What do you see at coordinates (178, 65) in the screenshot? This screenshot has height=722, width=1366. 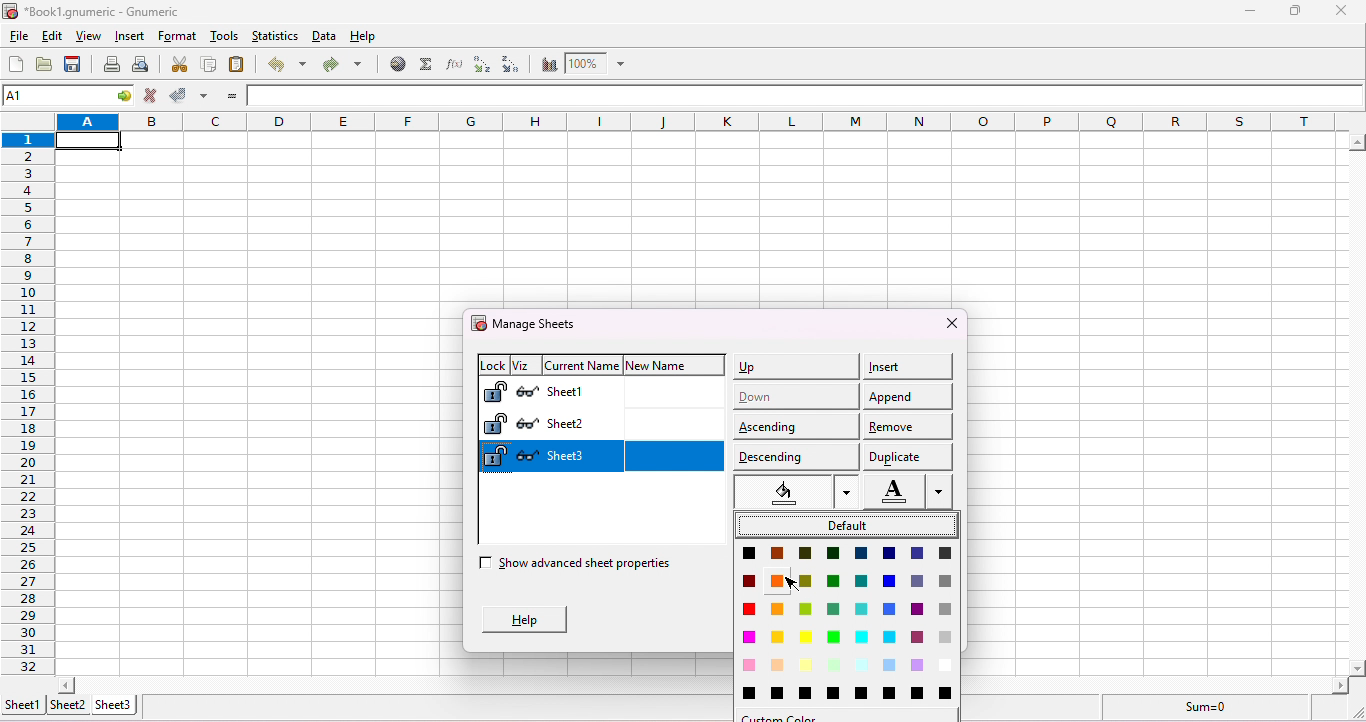 I see `cut` at bounding box center [178, 65].